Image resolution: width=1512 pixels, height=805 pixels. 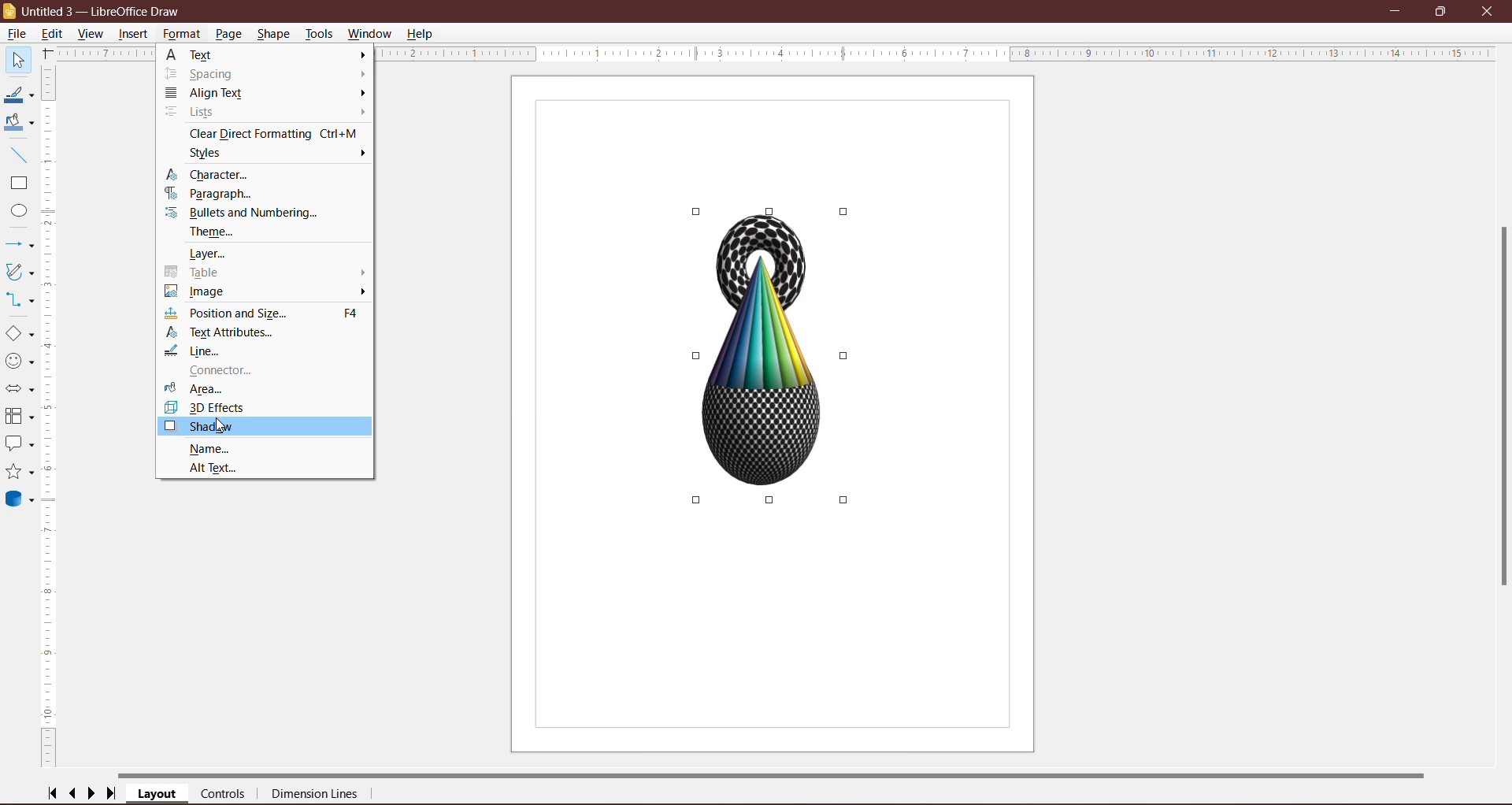 What do you see at coordinates (939, 55) in the screenshot?
I see `Horizontal Ruler` at bounding box center [939, 55].